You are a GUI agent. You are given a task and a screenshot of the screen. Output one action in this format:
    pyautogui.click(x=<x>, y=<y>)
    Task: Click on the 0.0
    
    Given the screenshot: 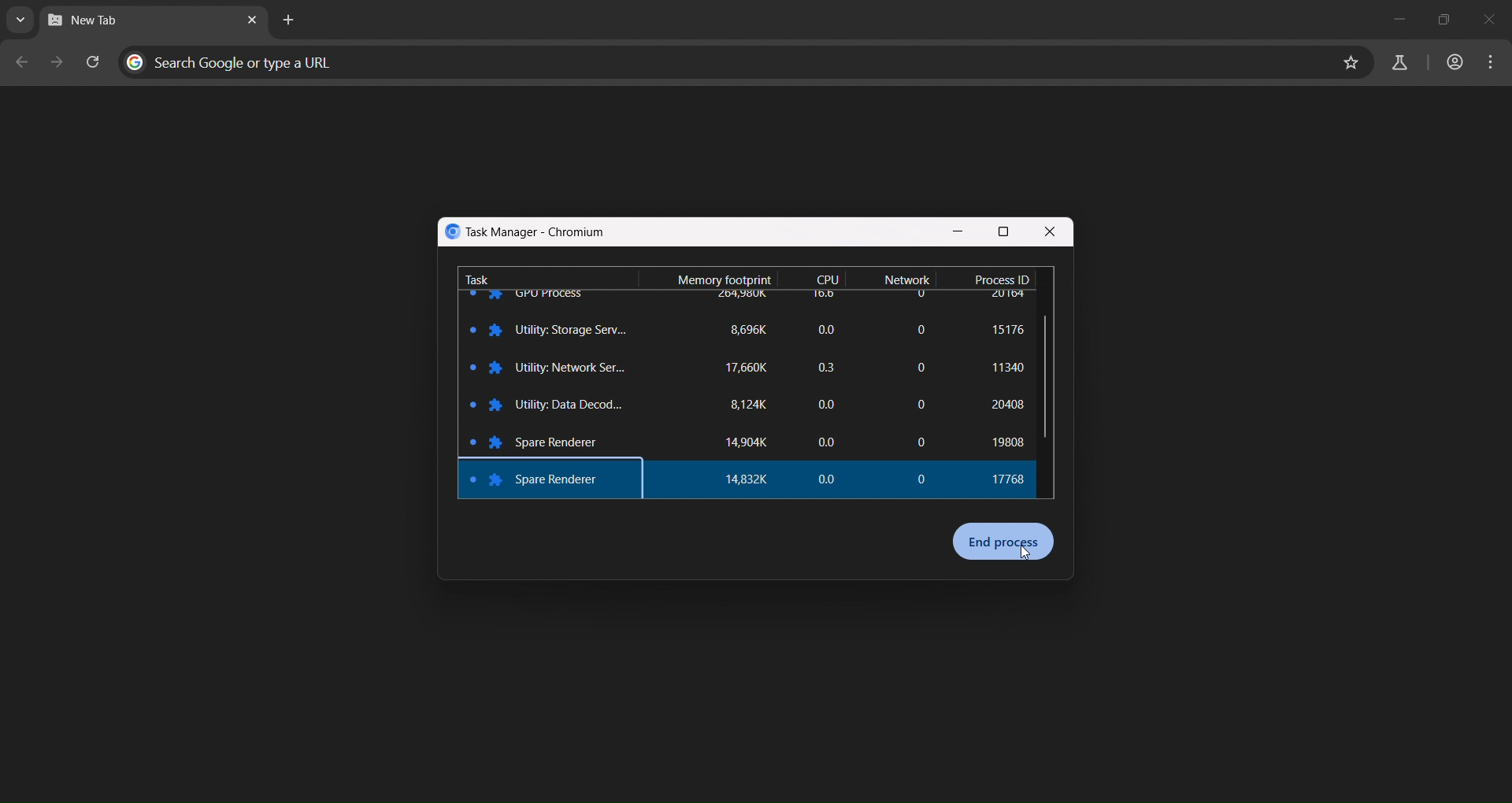 What is the action you would take?
    pyautogui.click(x=823, y=441)
    